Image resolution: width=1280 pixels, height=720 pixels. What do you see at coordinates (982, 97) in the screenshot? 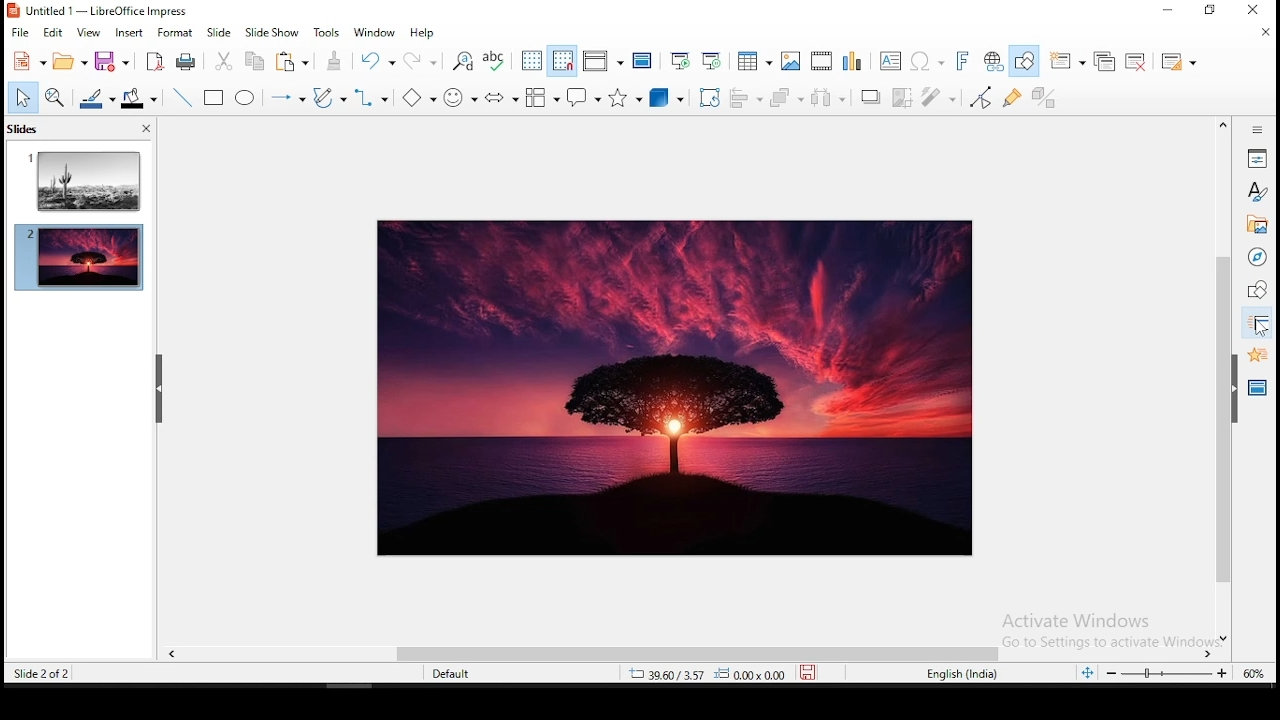
I see `toggle point edit mode` at bounding box center [982, 97].